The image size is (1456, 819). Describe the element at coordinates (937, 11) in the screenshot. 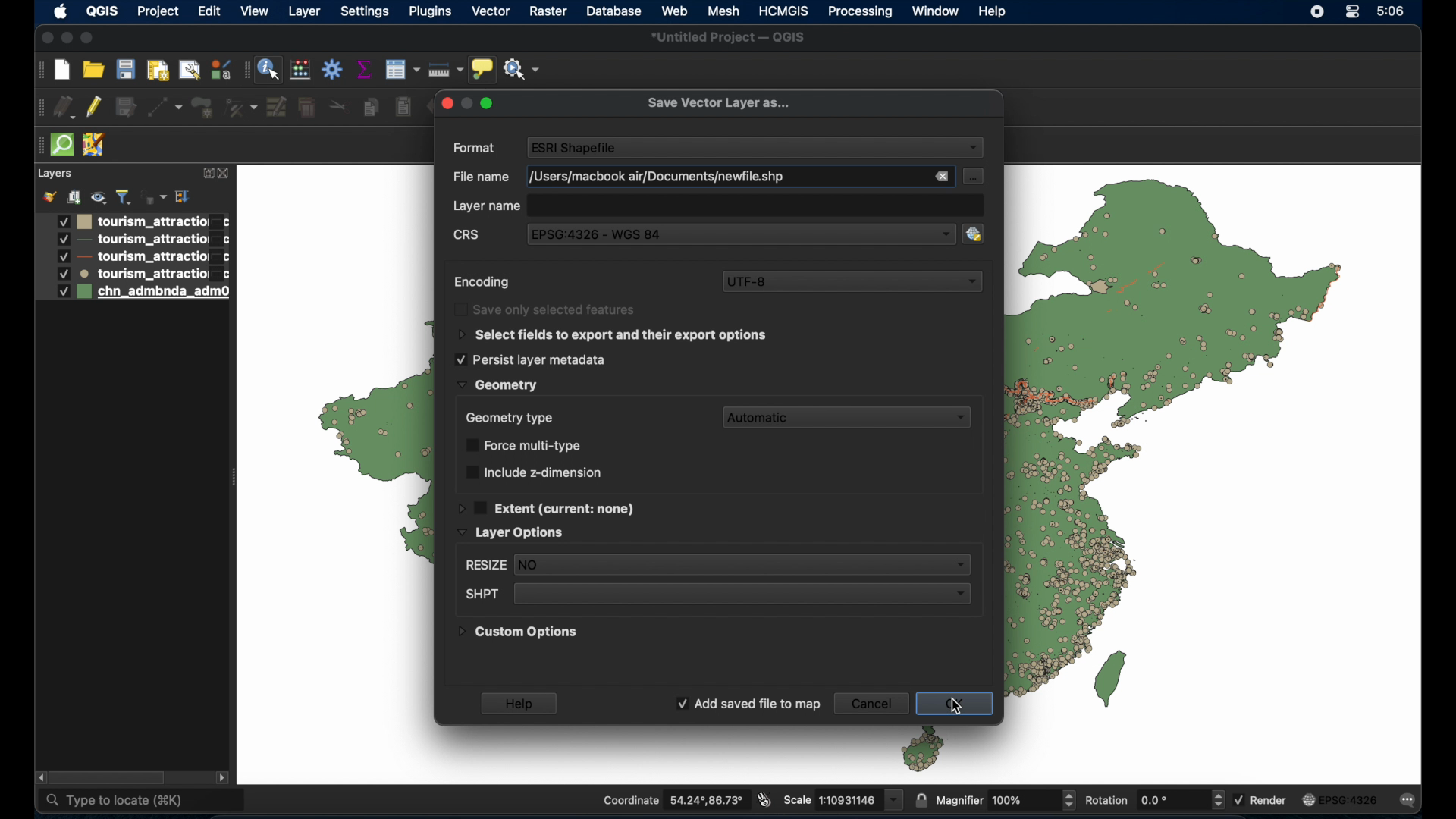

I see `window` at that location.